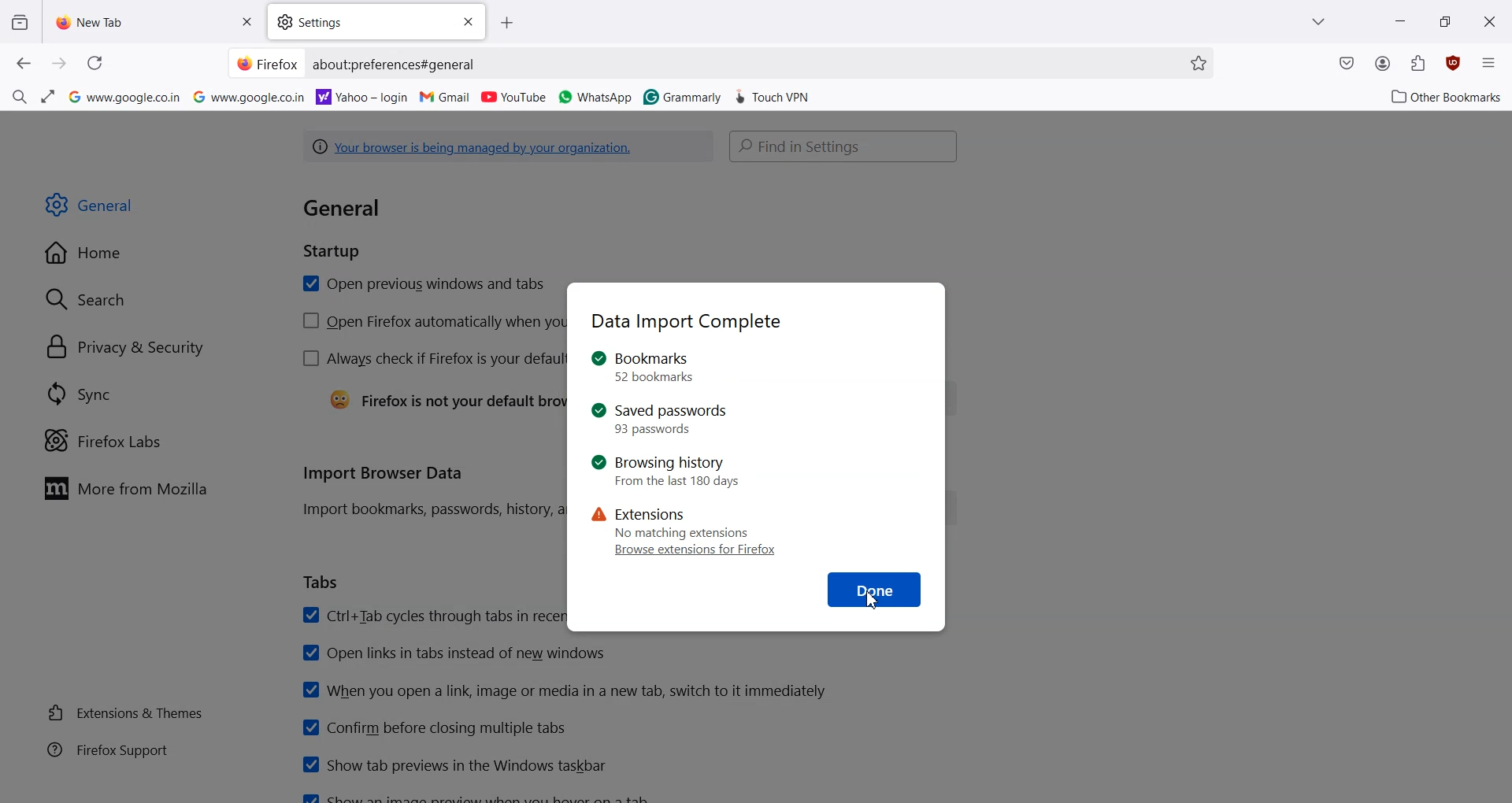  Describe the element at coordinates (453, 764) in the screenshot. I see `Show tab previews in the Windows taskbar` at that location.